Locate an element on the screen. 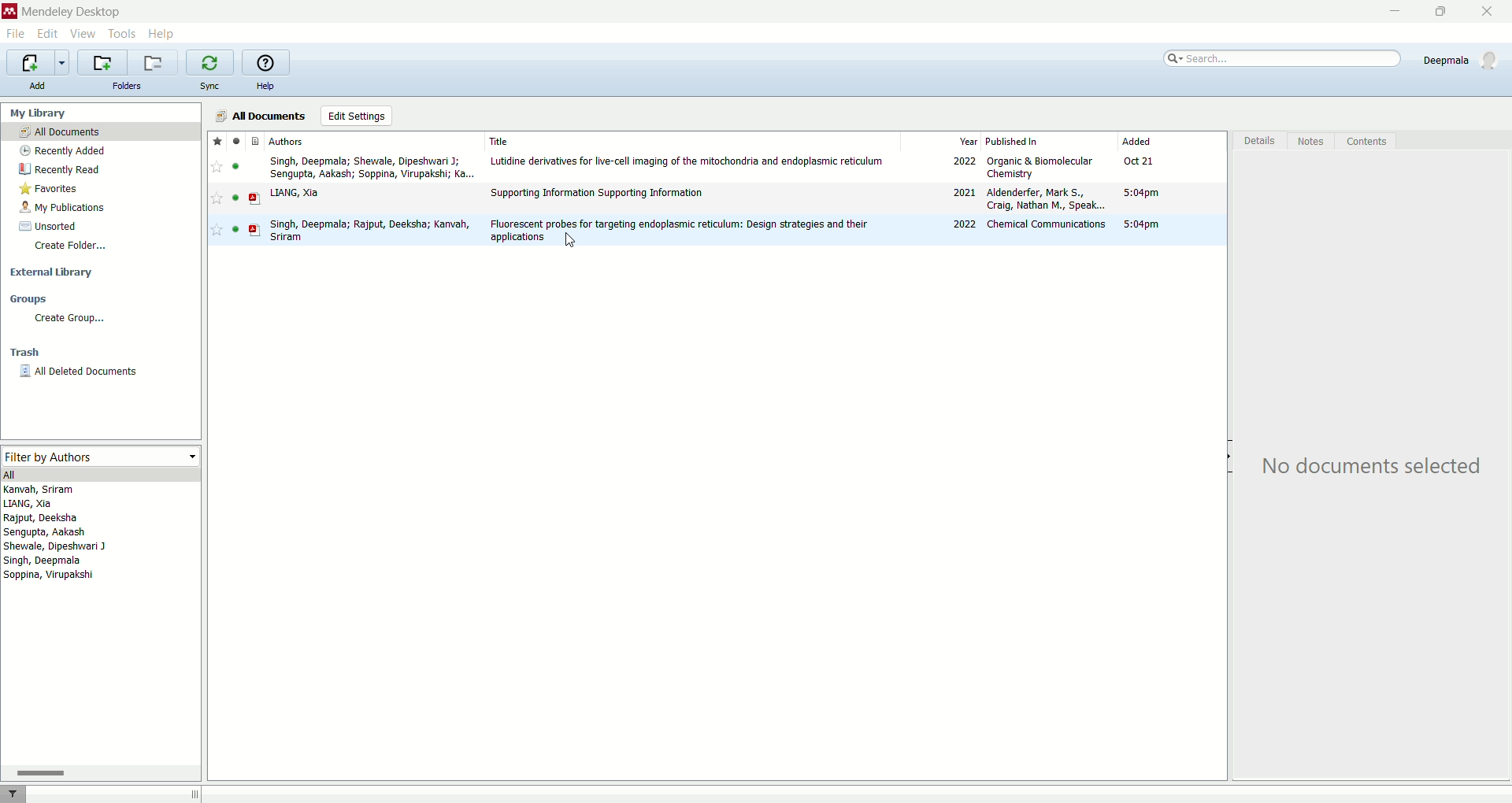 The image size is (1512, 803). published in is located at coordinates (1048, 140).